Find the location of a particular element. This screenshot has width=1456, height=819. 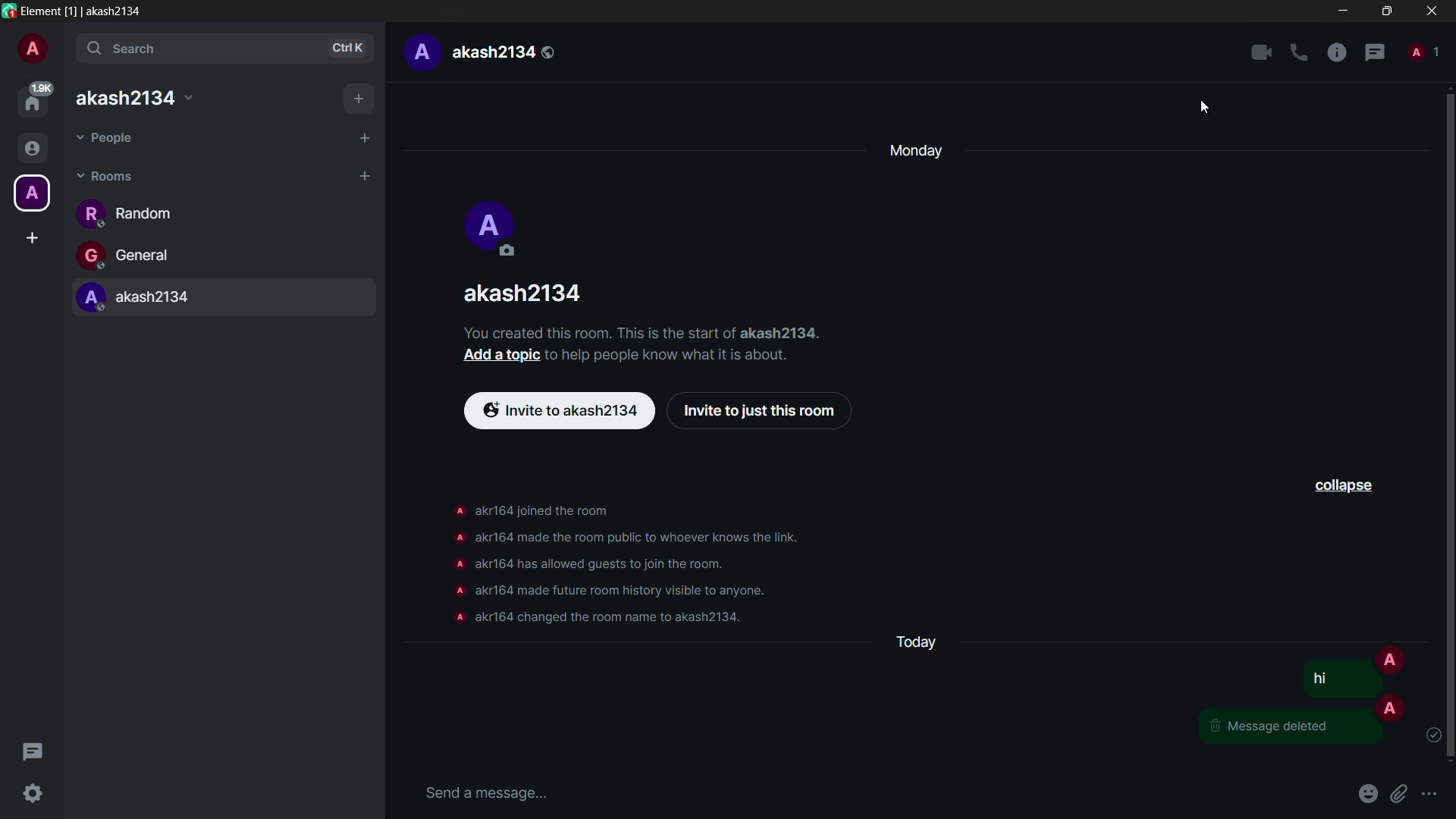

day is located at coordinates (916, 150).